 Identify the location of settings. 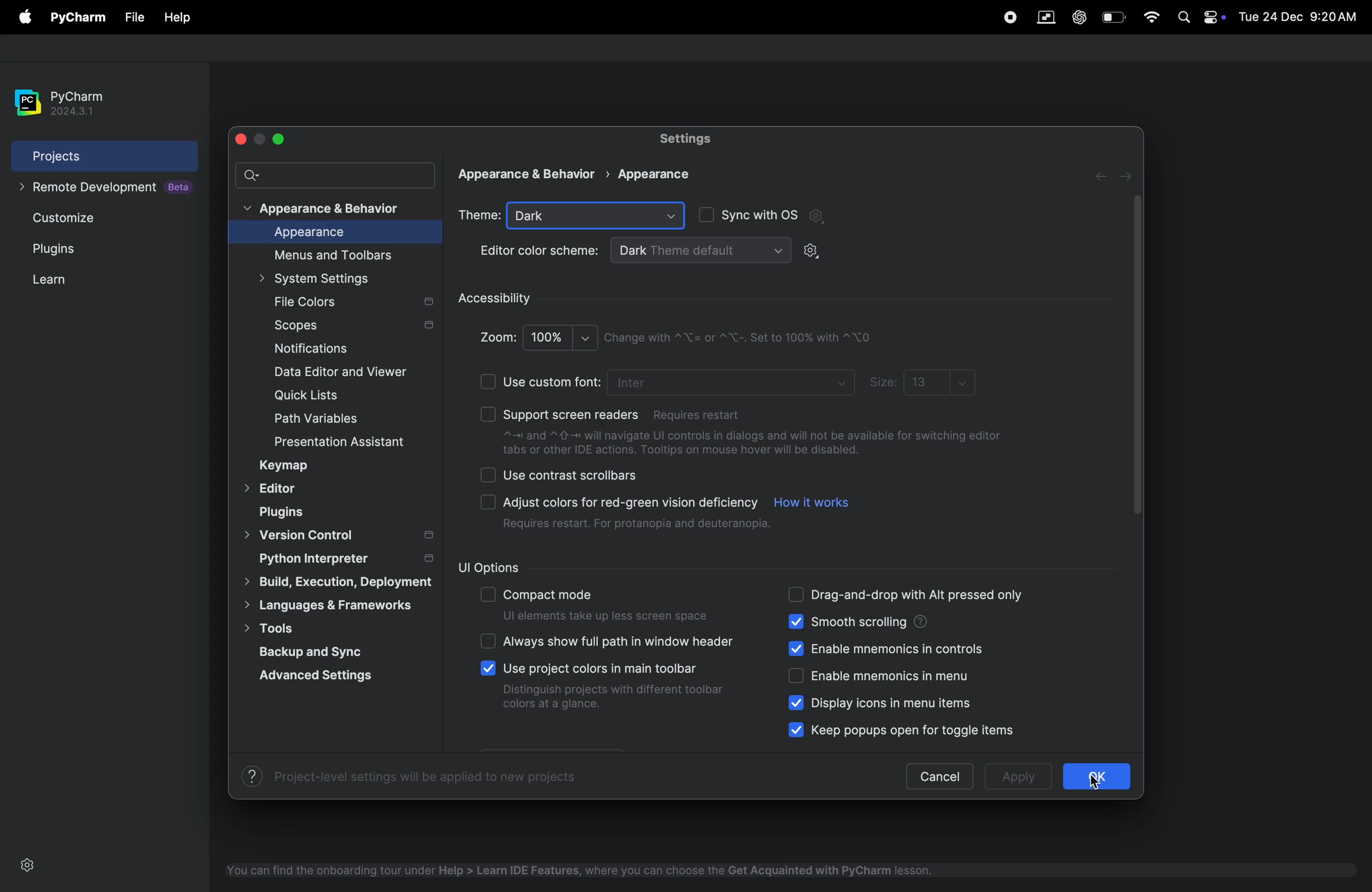
(28, 865).